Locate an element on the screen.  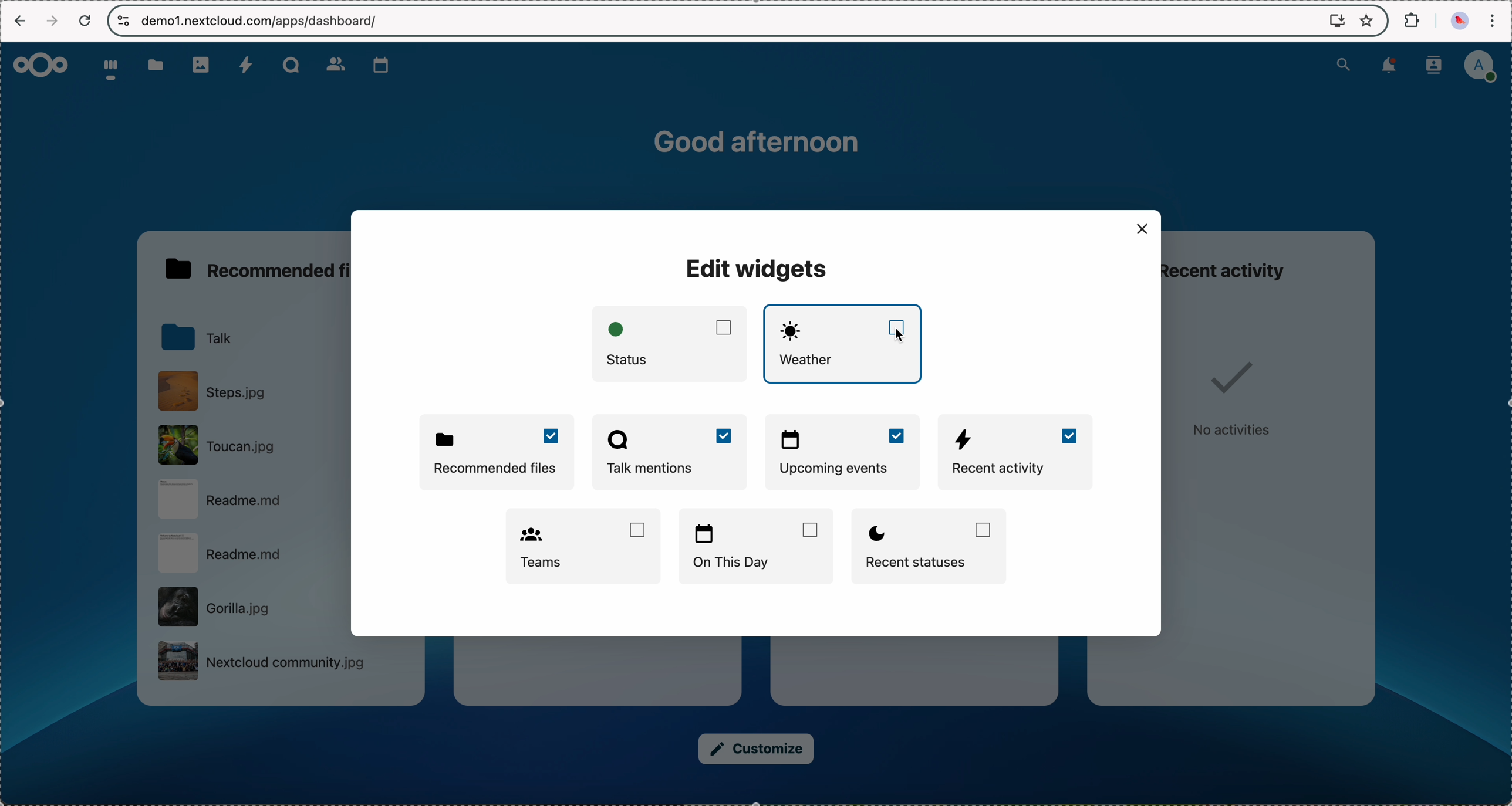
file is located at coordinates (248, 608).